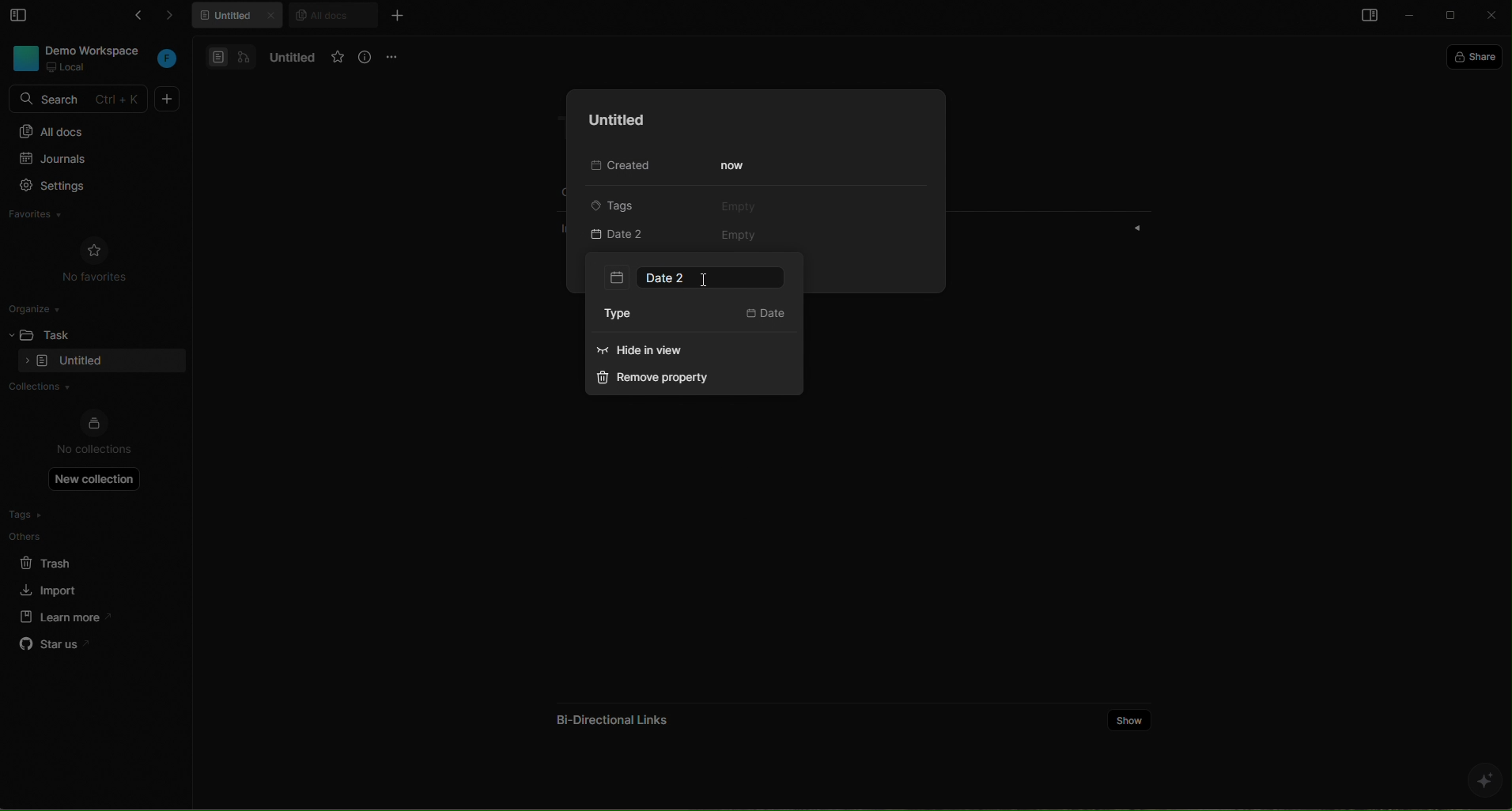  What do you see at coordinates (695, 277) in the screenshot?
I see `date 2` at bounding box center [695, 277].